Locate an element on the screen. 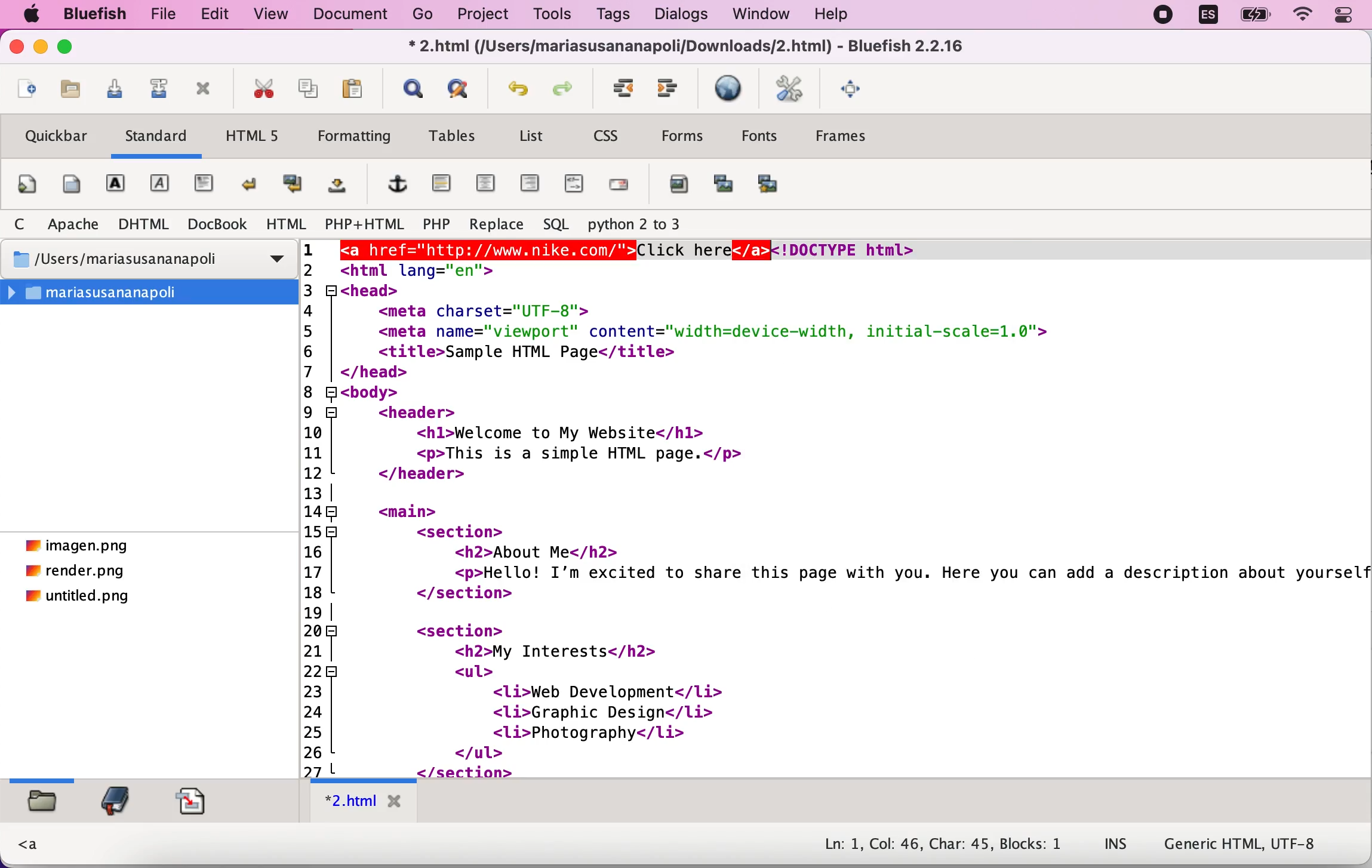 The image size is (1372, 868). sql is located at coordinates (552, 226).